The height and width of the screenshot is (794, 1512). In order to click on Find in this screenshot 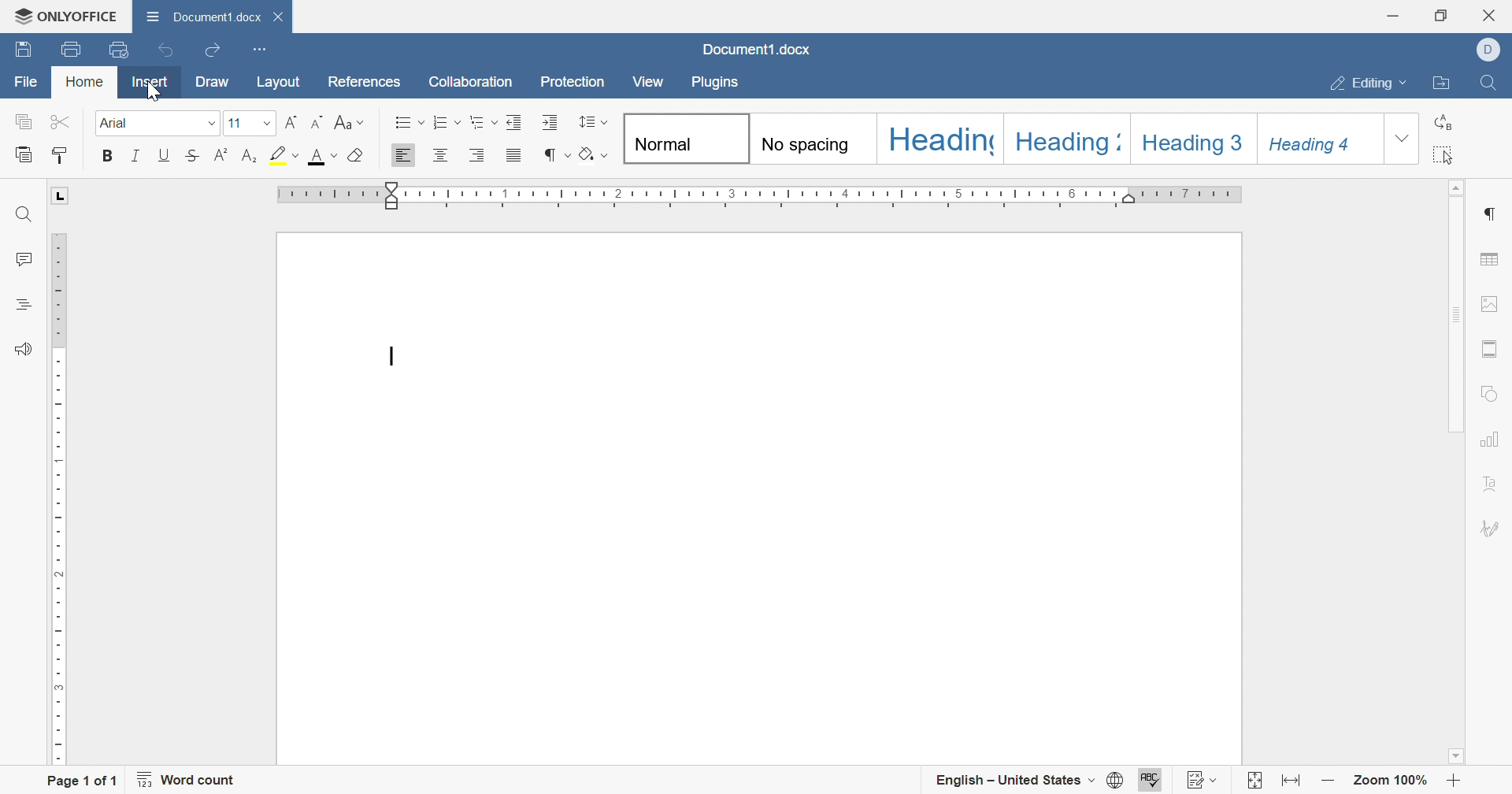, I will do `click(21, 215)`.